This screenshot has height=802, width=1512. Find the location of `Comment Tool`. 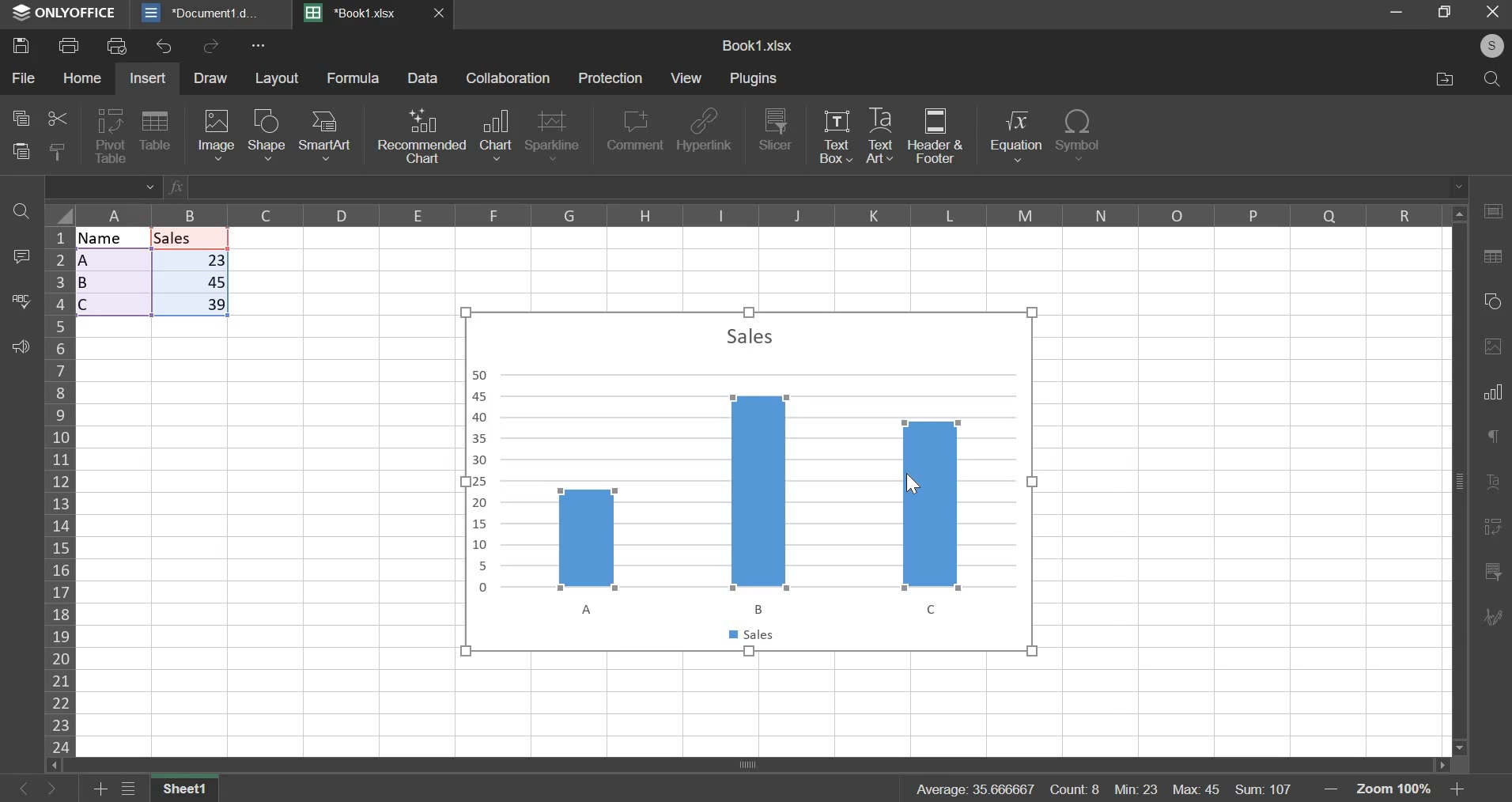

Comment Tool is located at coordinates (1492, 435).